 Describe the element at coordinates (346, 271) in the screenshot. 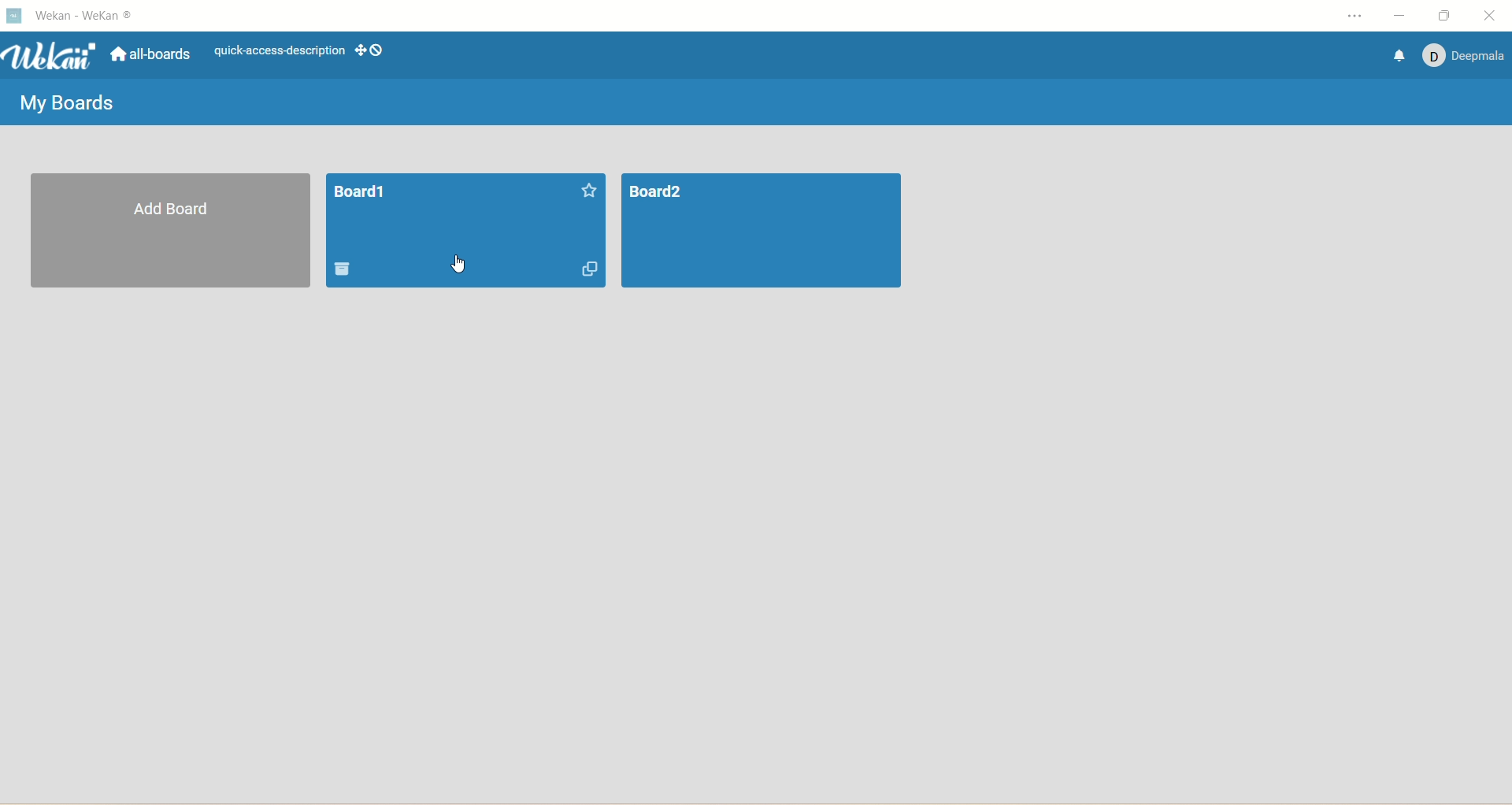

I see `delete` at that location.